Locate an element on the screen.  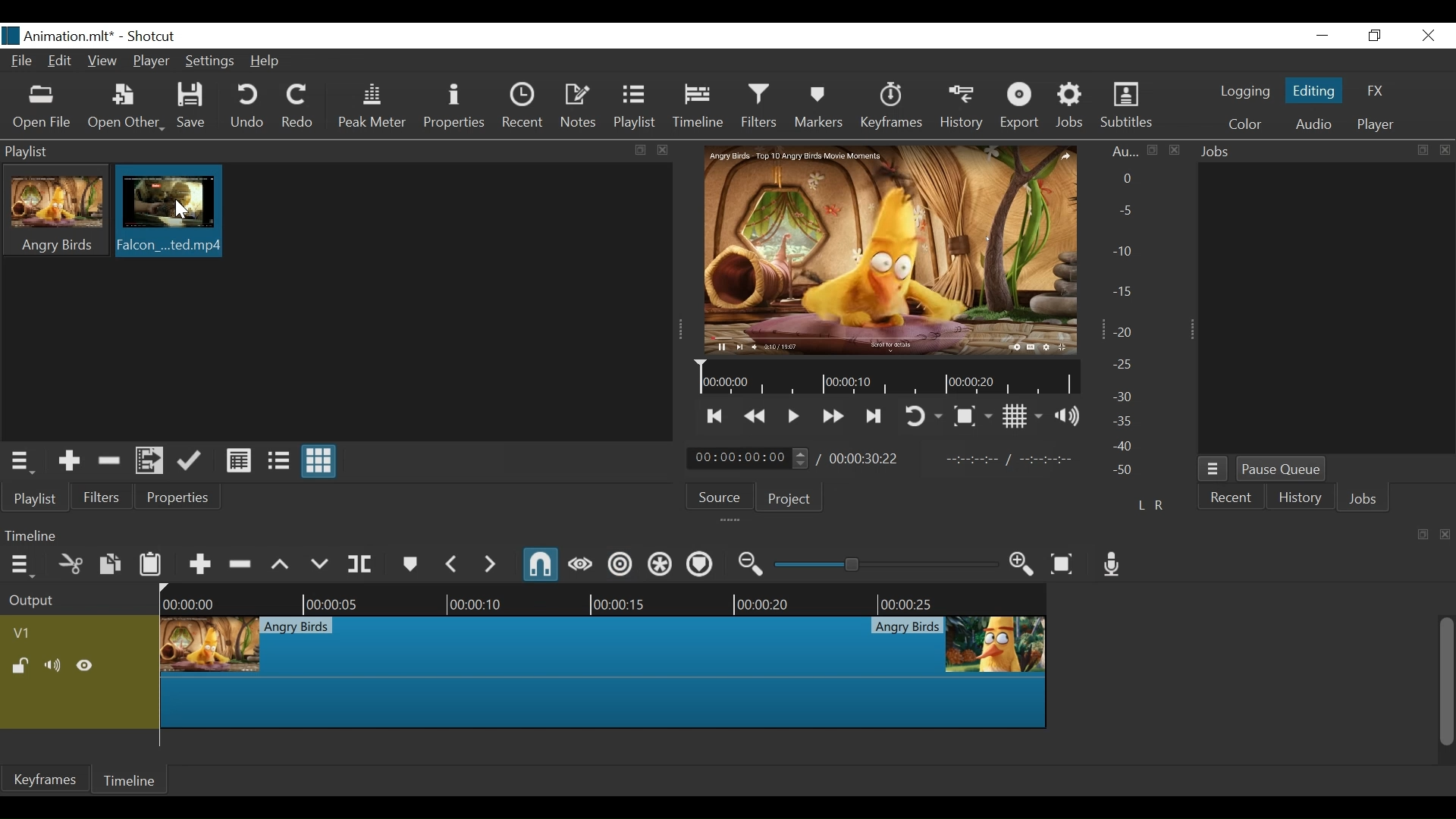
Toggle play or pause is located at coordinates (794, 416).